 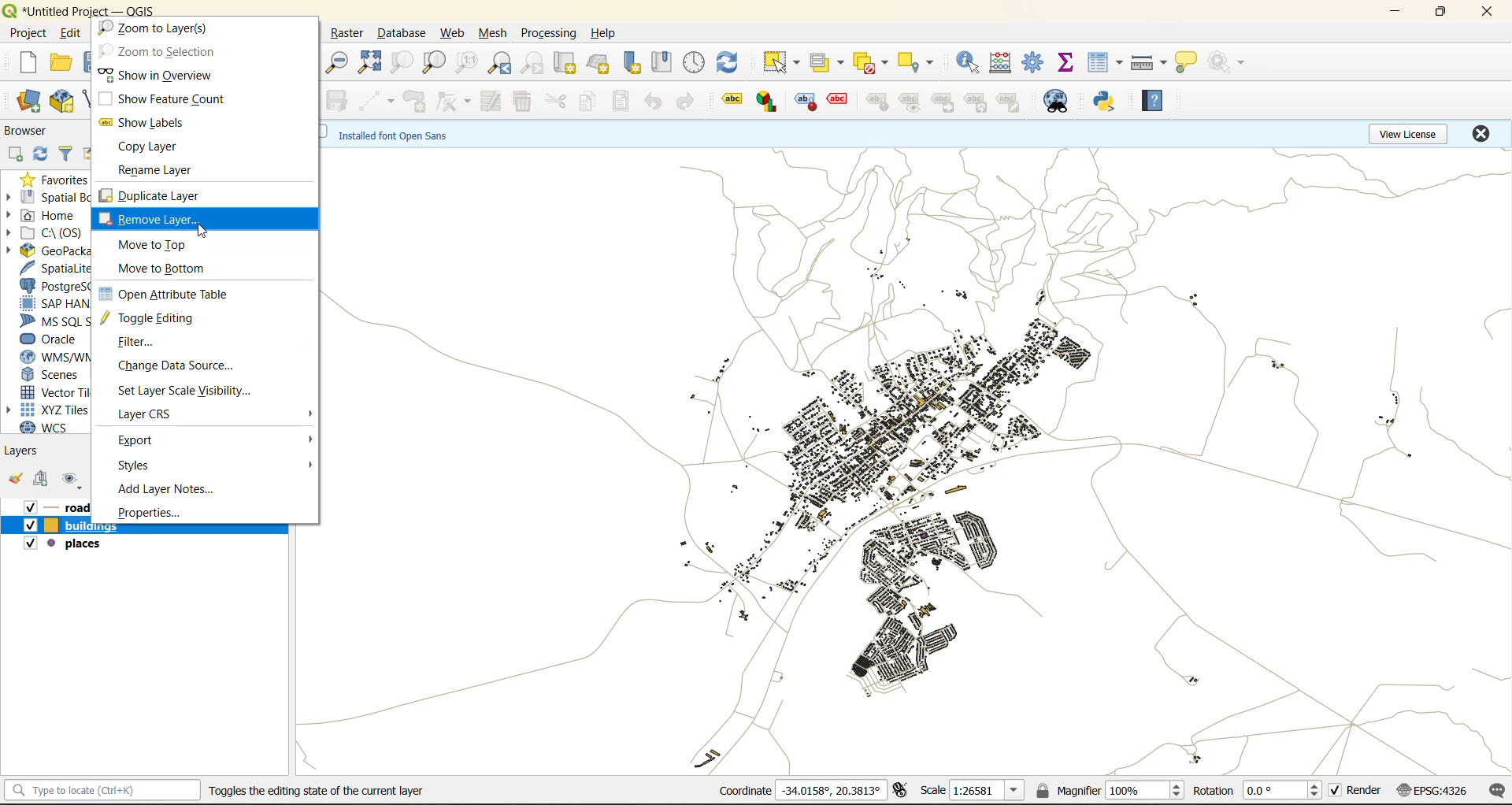 What do you see at coordinates (154, 146) in the screenshot?
I see `copy layer` at bounding box center [154, 146].